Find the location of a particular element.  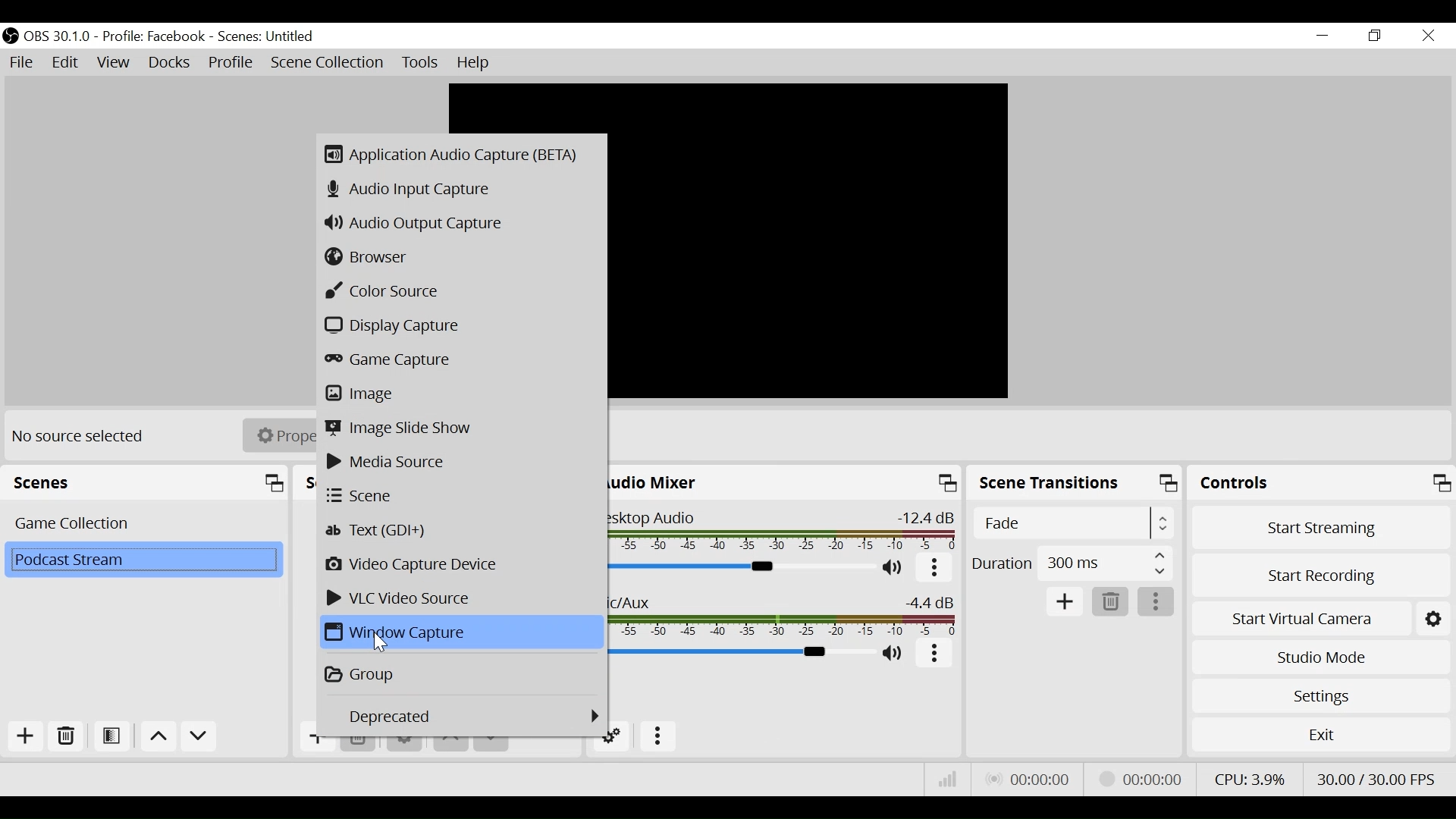

Remove is located at coordinates (360, 744).